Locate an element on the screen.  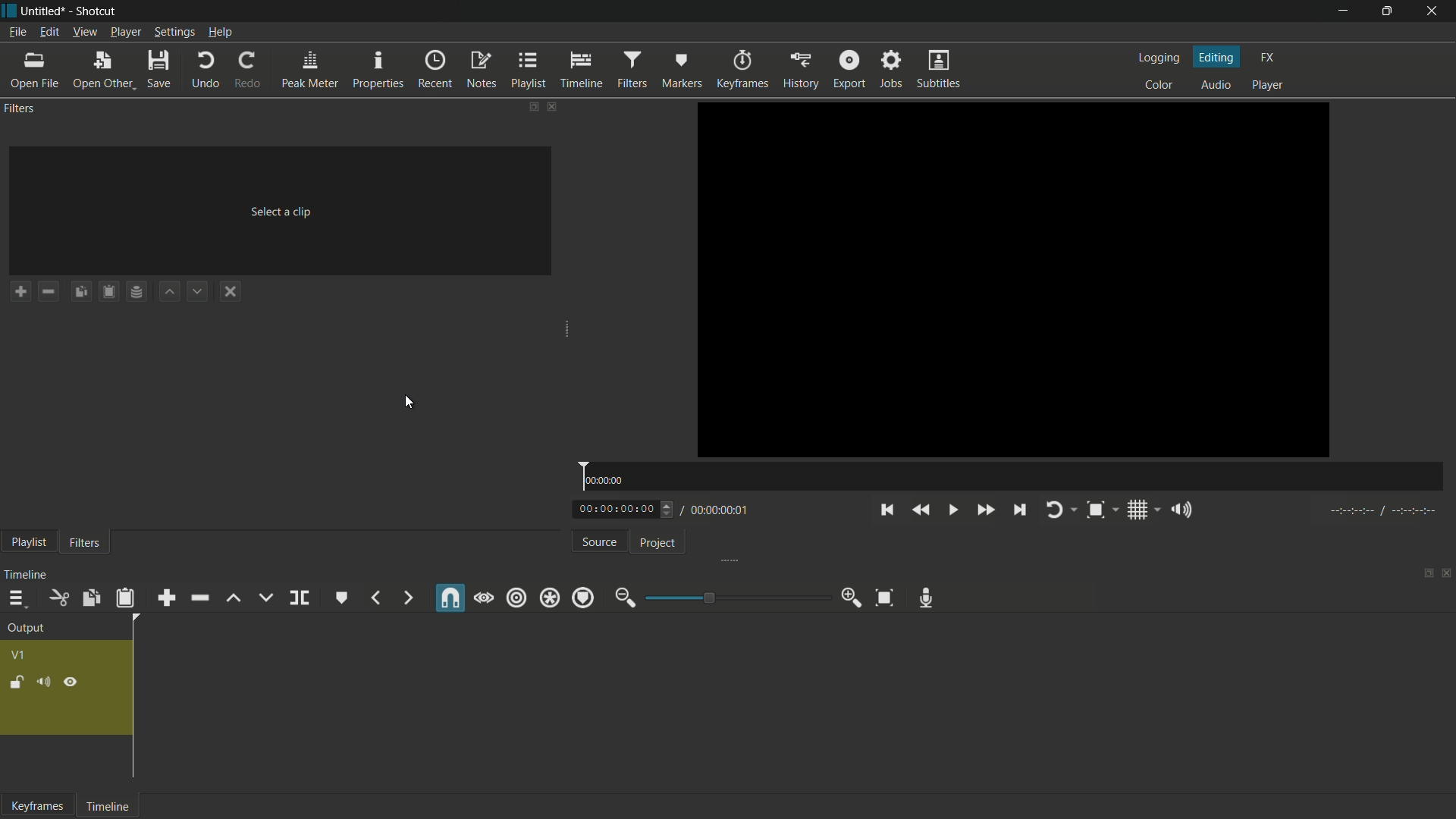
filters is located at coordinates (633, 69).